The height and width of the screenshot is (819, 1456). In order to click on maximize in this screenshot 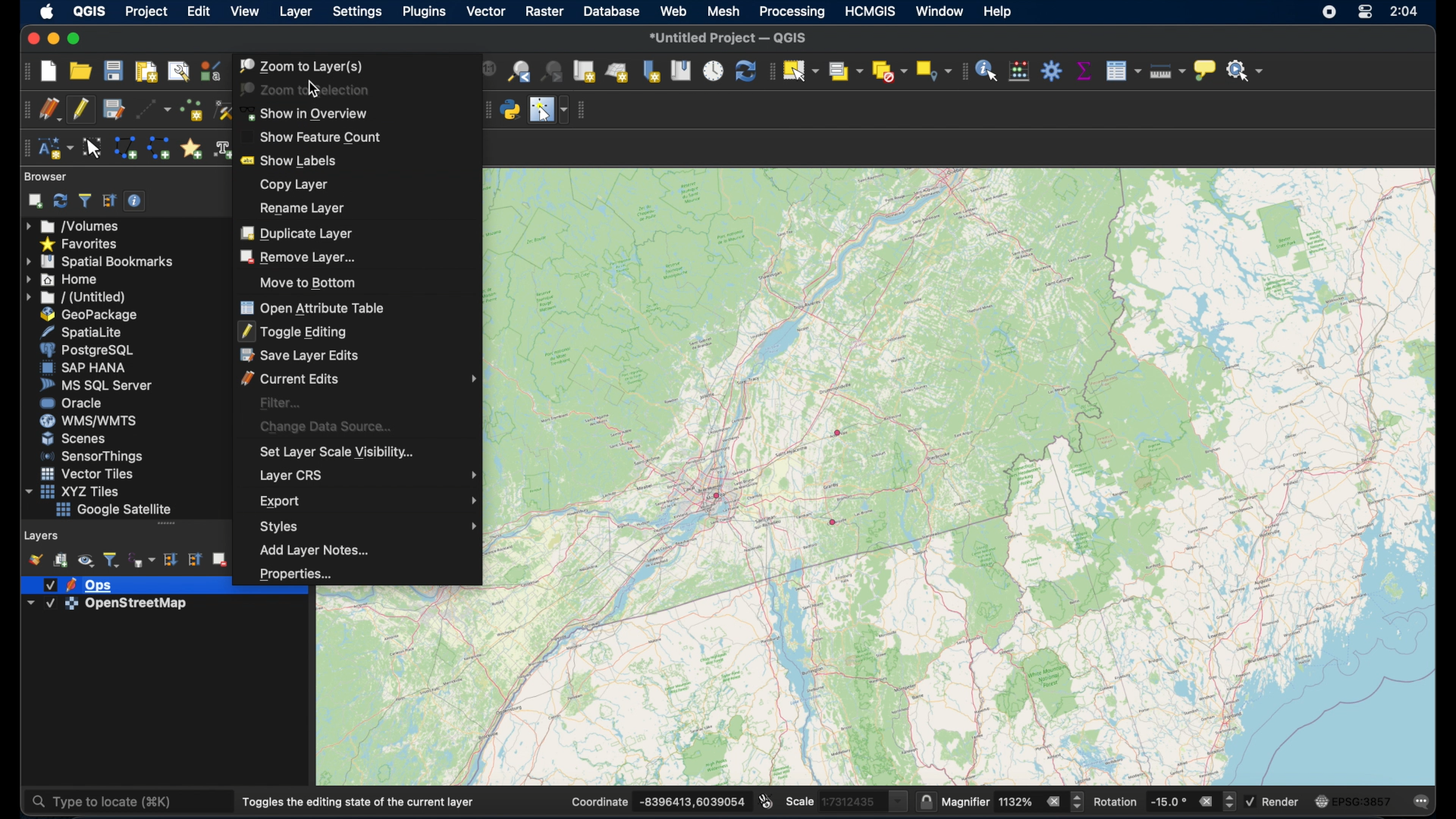, I will do `click(75, 39)`.